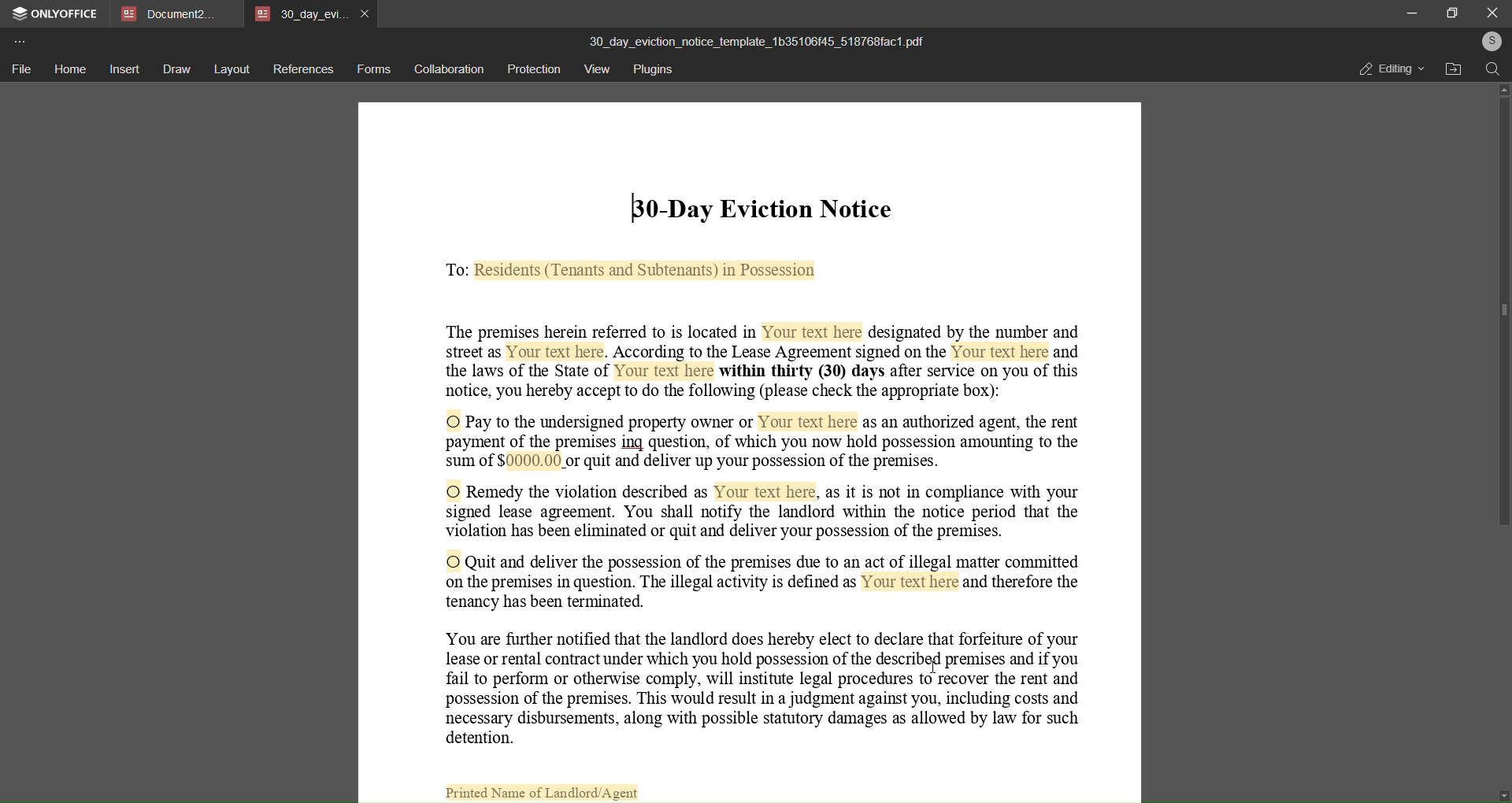 This screenshot has width=1512, height=803. What do you see at coordinates (175, 70) in the screenshot?
I see `draw` at bounding box center [175, 70].